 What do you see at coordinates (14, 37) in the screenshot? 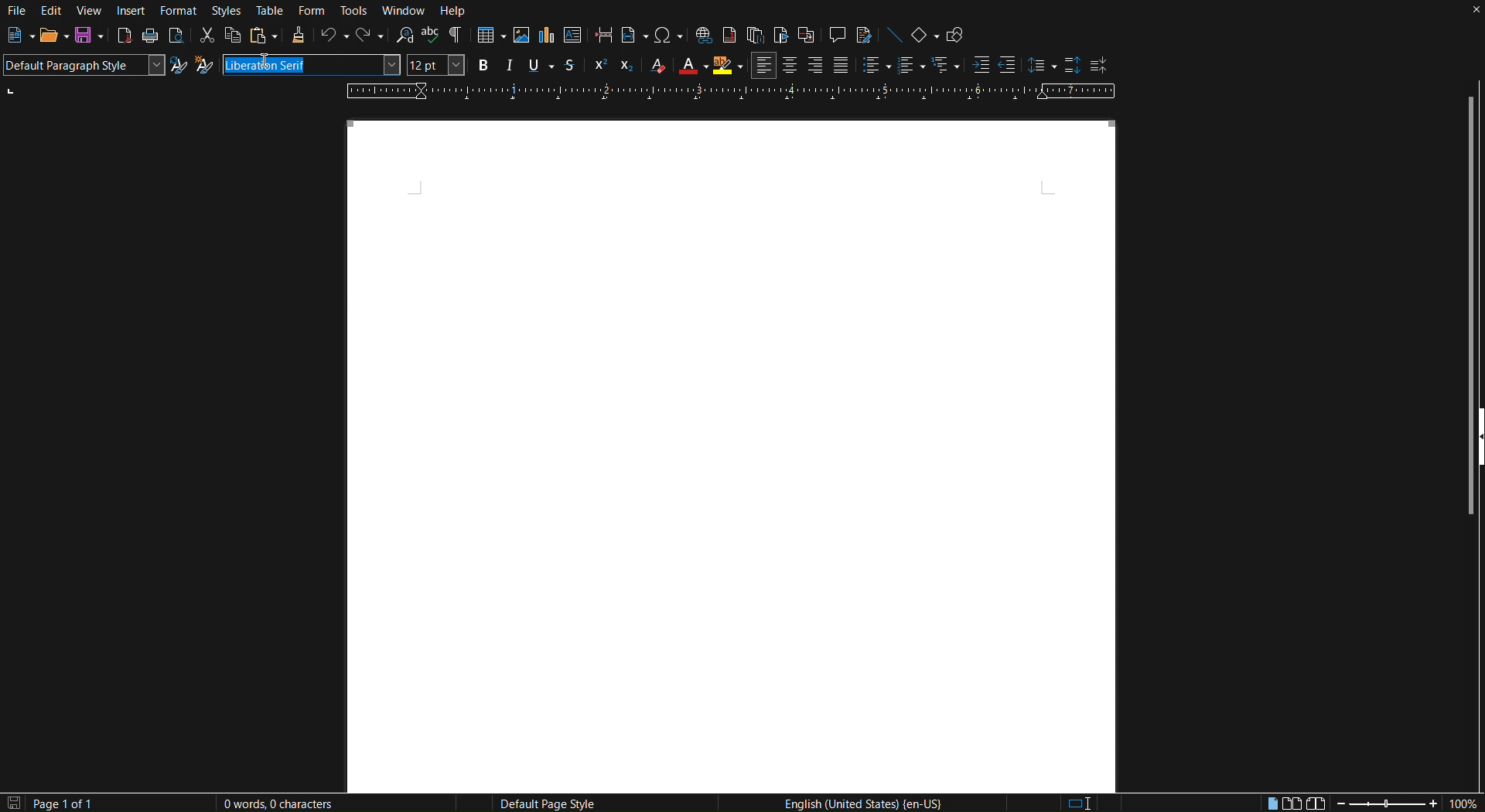
I see `New` at bounding box center [14, 37].